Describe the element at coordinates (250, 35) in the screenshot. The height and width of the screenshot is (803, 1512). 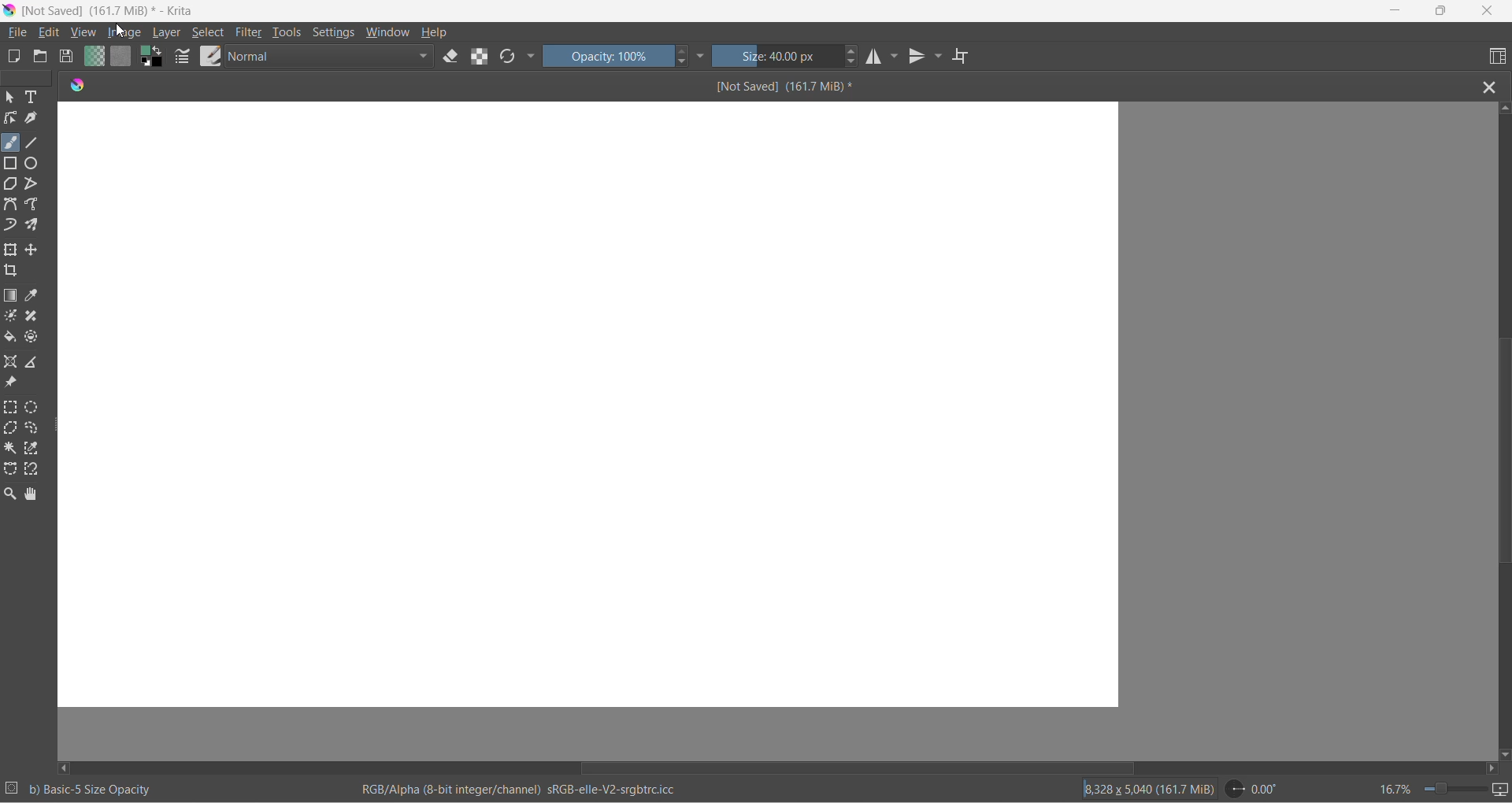
I see `filter` at that location.